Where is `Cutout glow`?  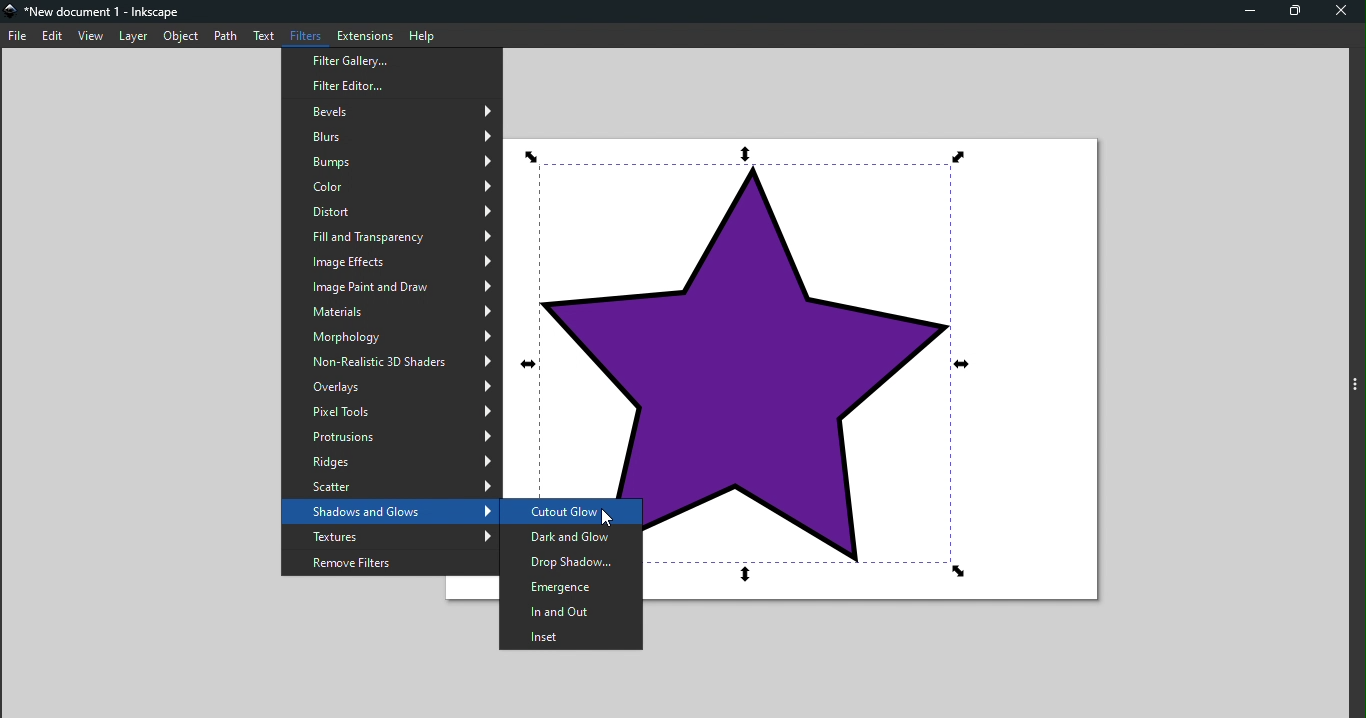
Cutout glow is located at coordinates (567, 511).